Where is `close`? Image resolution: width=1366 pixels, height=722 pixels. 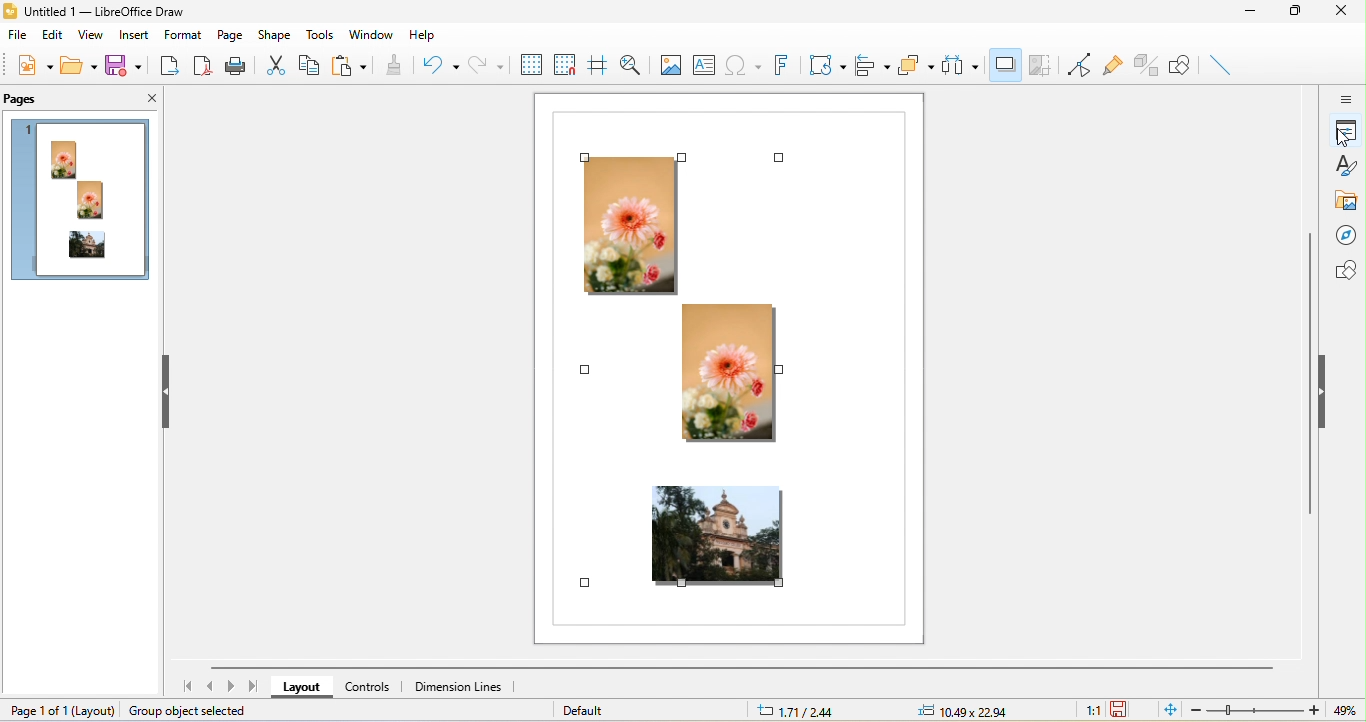 close is located at coordinates (143, 99).